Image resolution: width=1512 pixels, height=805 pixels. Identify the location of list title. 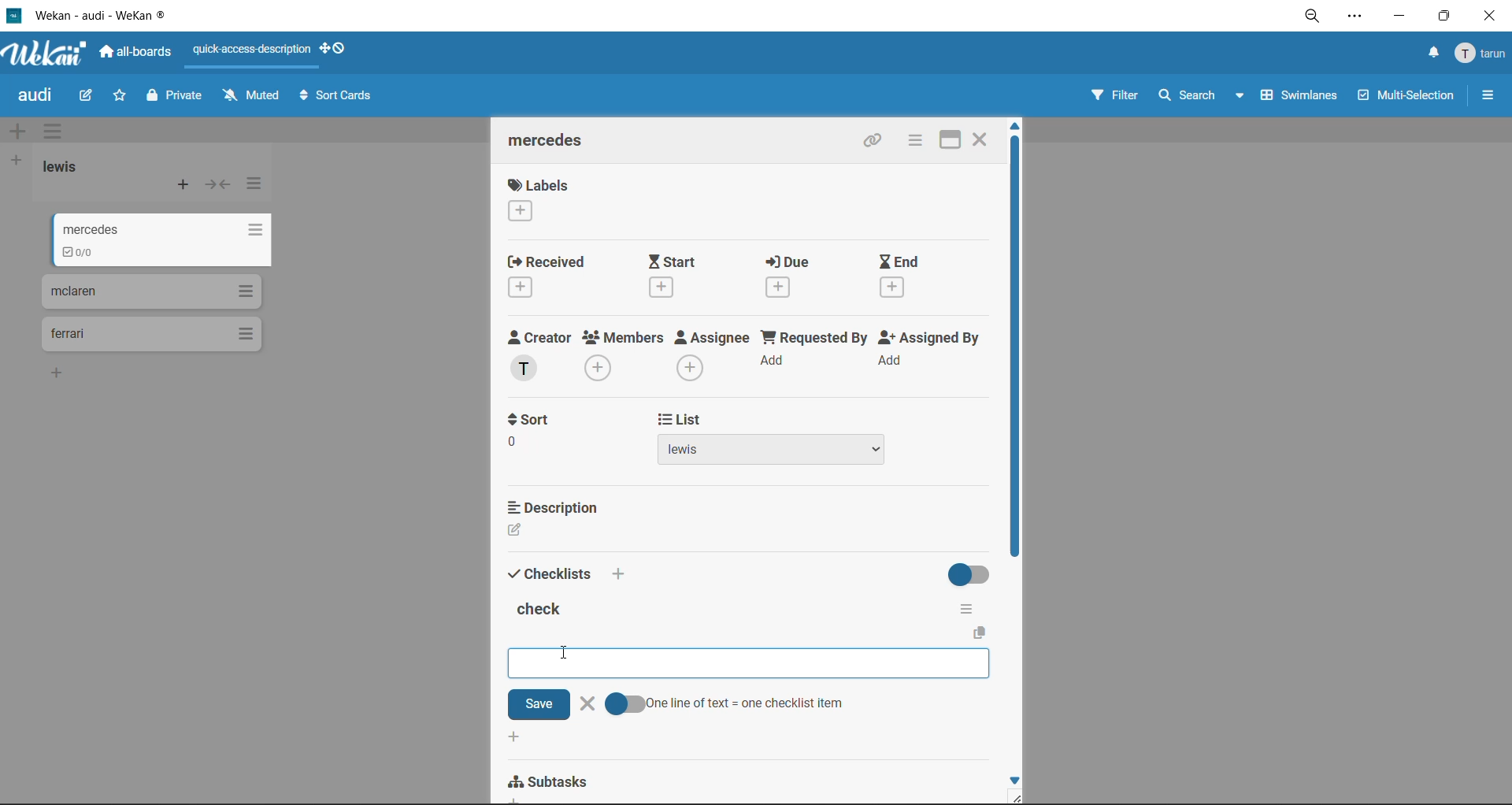
(67, 167).